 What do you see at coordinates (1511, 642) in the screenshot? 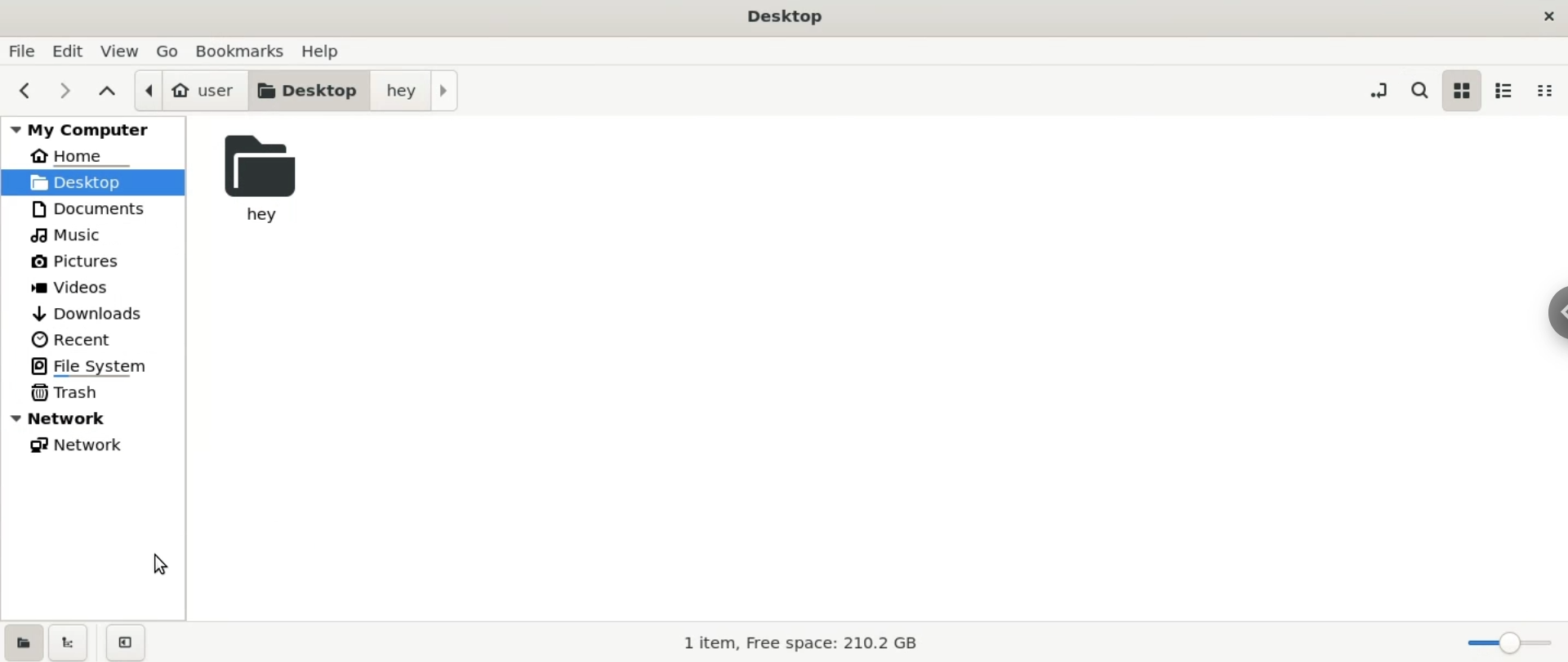
I see `zoom` at bounding box center [1511, 642].